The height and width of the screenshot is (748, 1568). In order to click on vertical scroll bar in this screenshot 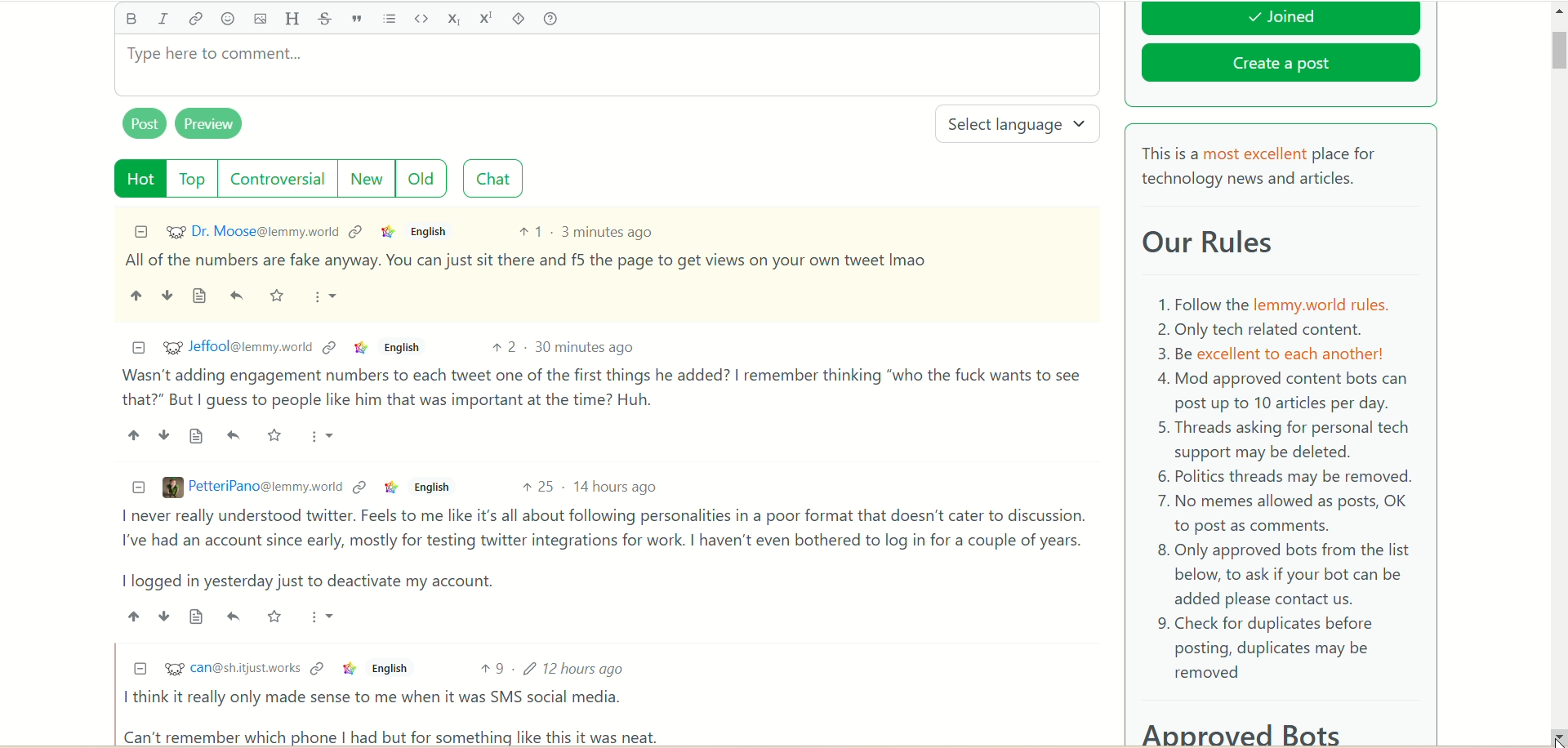, I will do `click(1558, 358)`.